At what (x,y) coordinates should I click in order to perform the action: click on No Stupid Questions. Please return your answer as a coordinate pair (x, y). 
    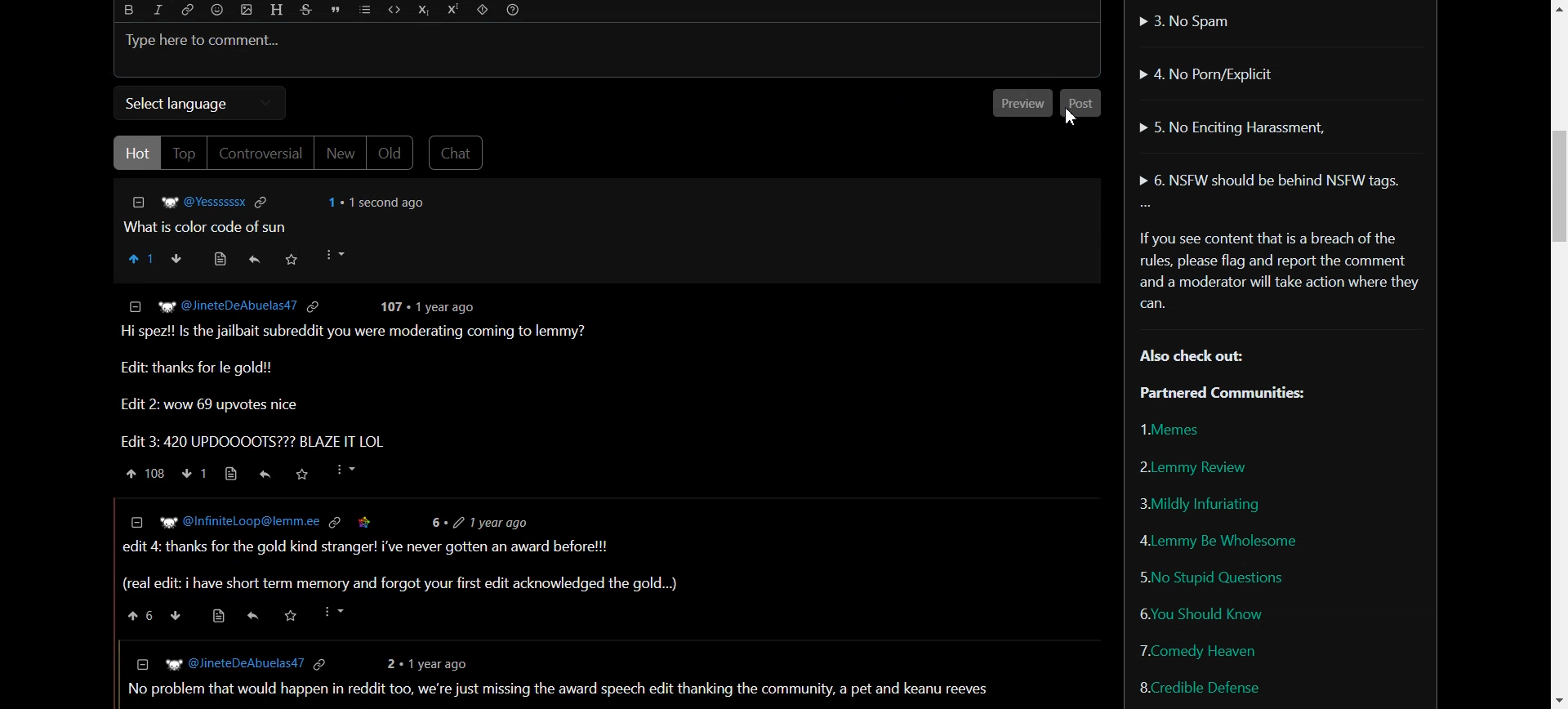
    Looking at the image, I should click on (1209, 578).